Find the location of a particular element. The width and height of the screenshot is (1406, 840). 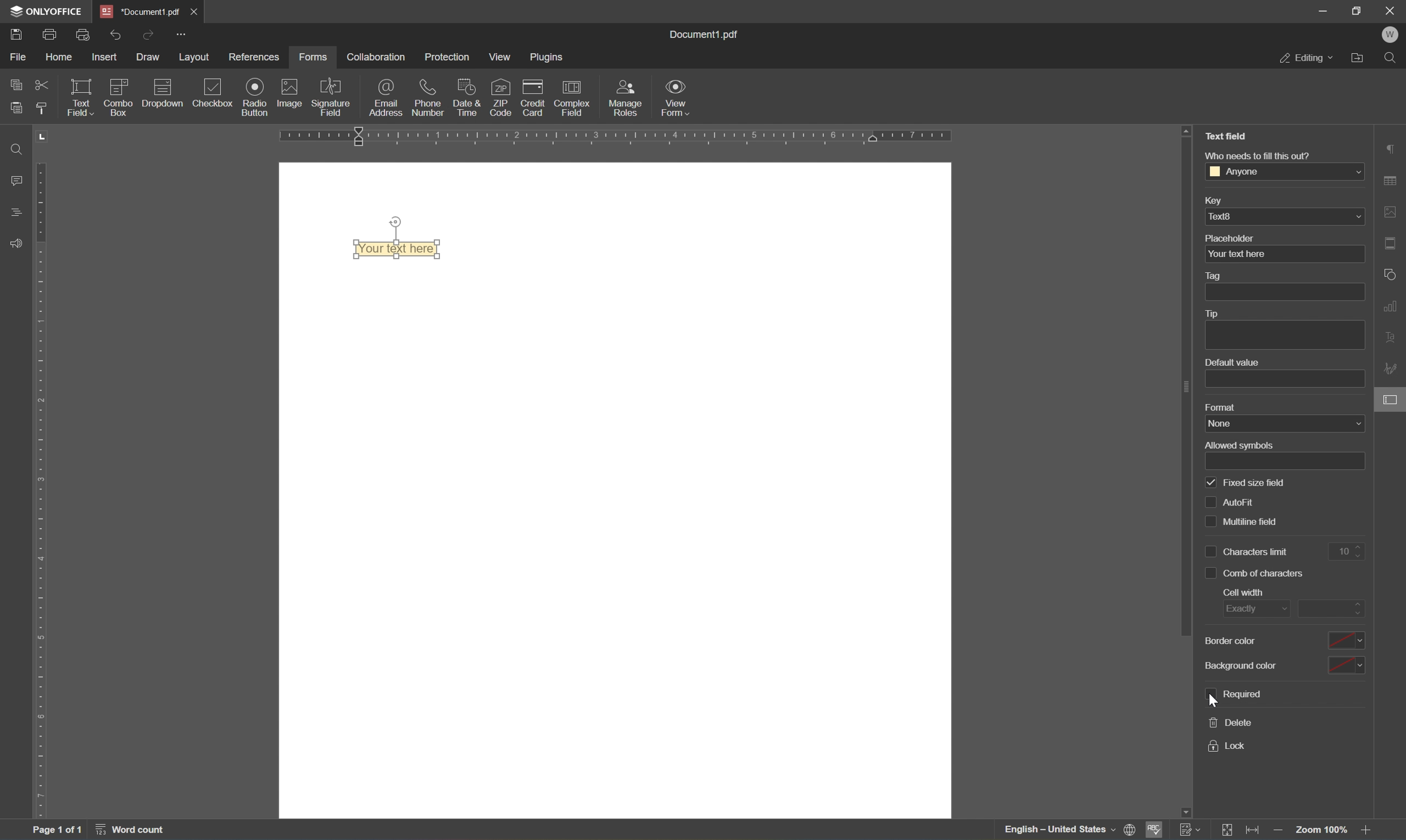

undo is located at coordinates (147, 37).